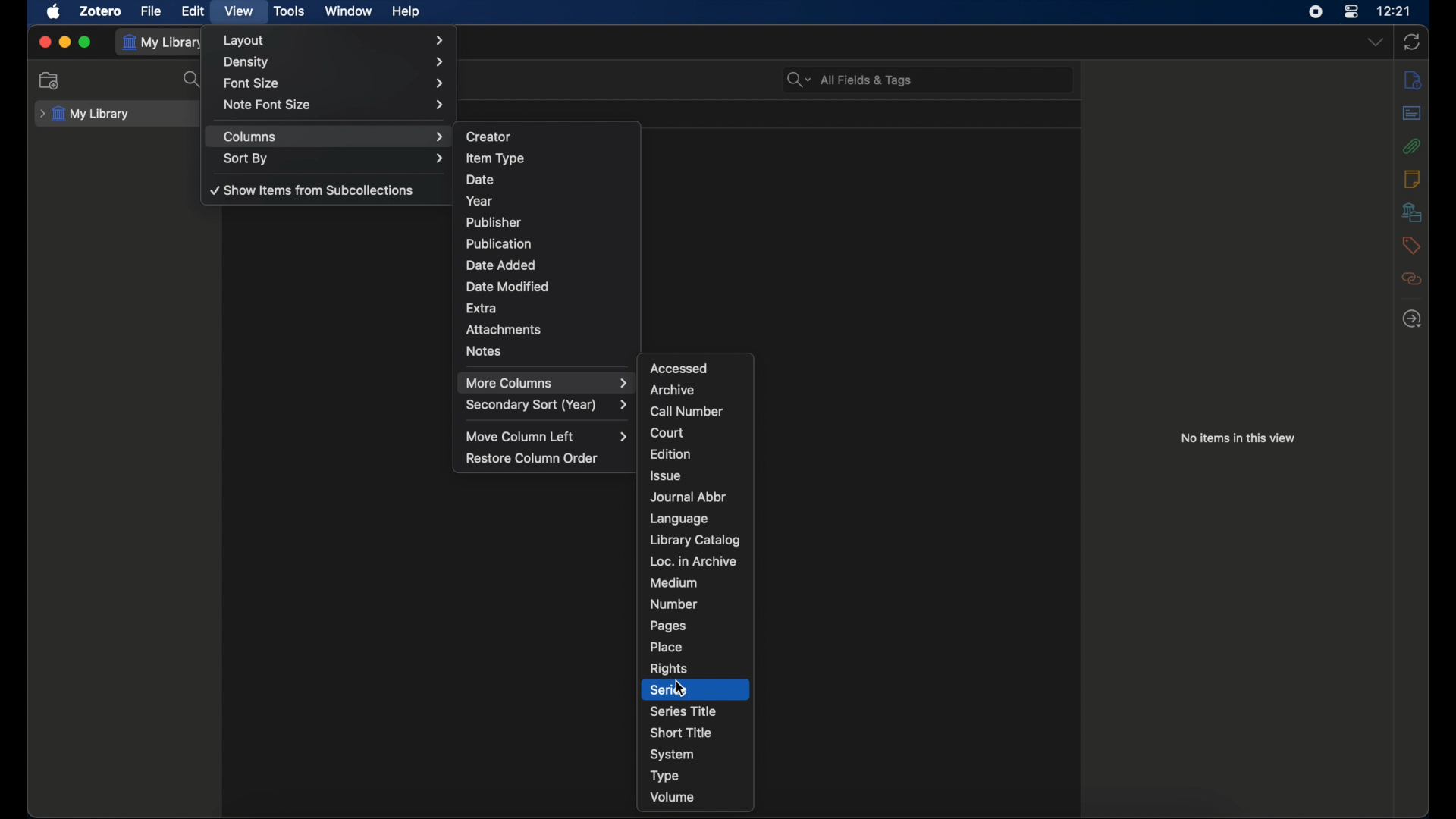 The image size is (1456, 819). What do you see at coordinates (481, 179) in the screenshot?
I see `date` at bounding box center [481, 179].